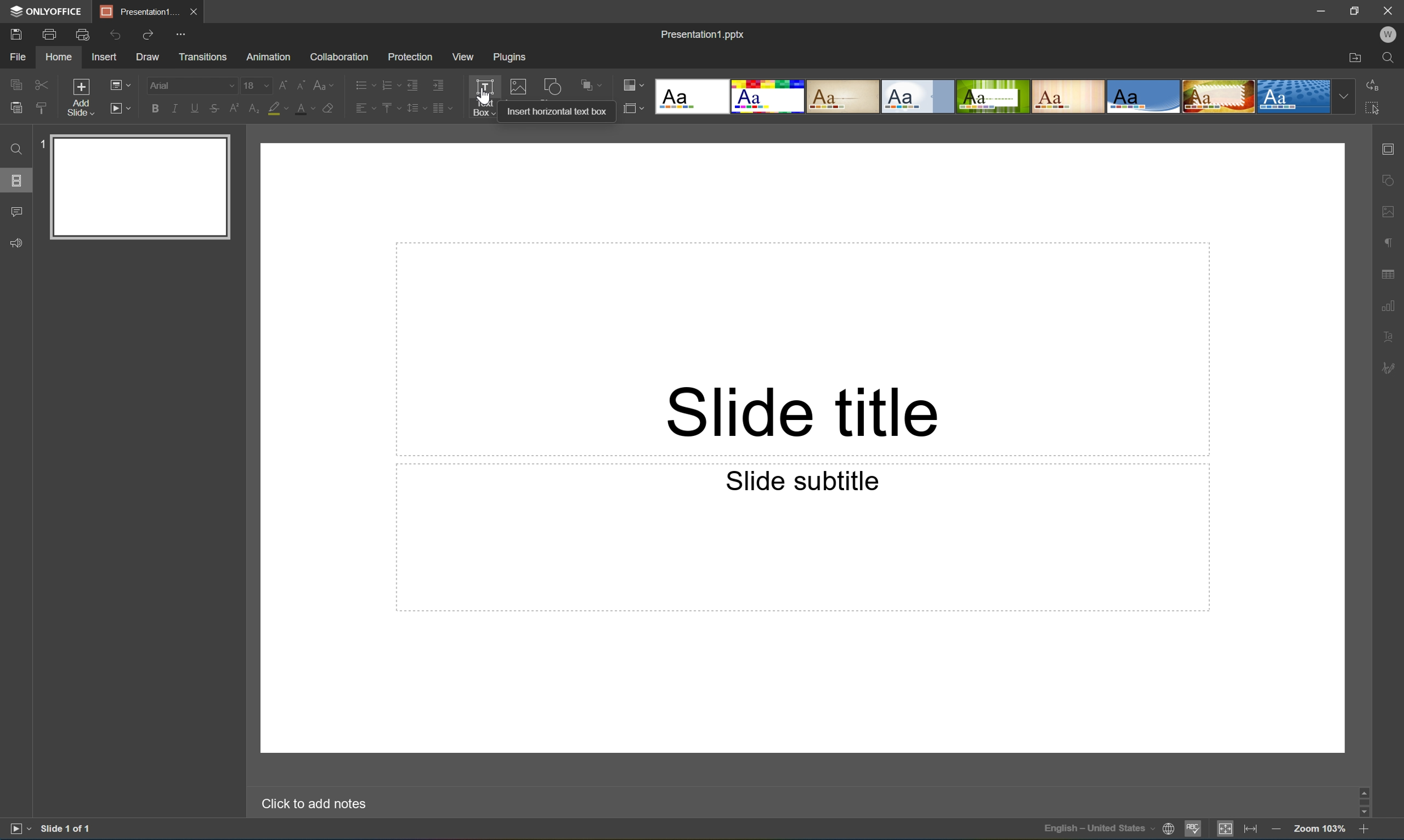 The image size is (1404, 840). Describe the element at coordinates (18, 242) in the screenshot. I see `Feedback & Support` at that location.